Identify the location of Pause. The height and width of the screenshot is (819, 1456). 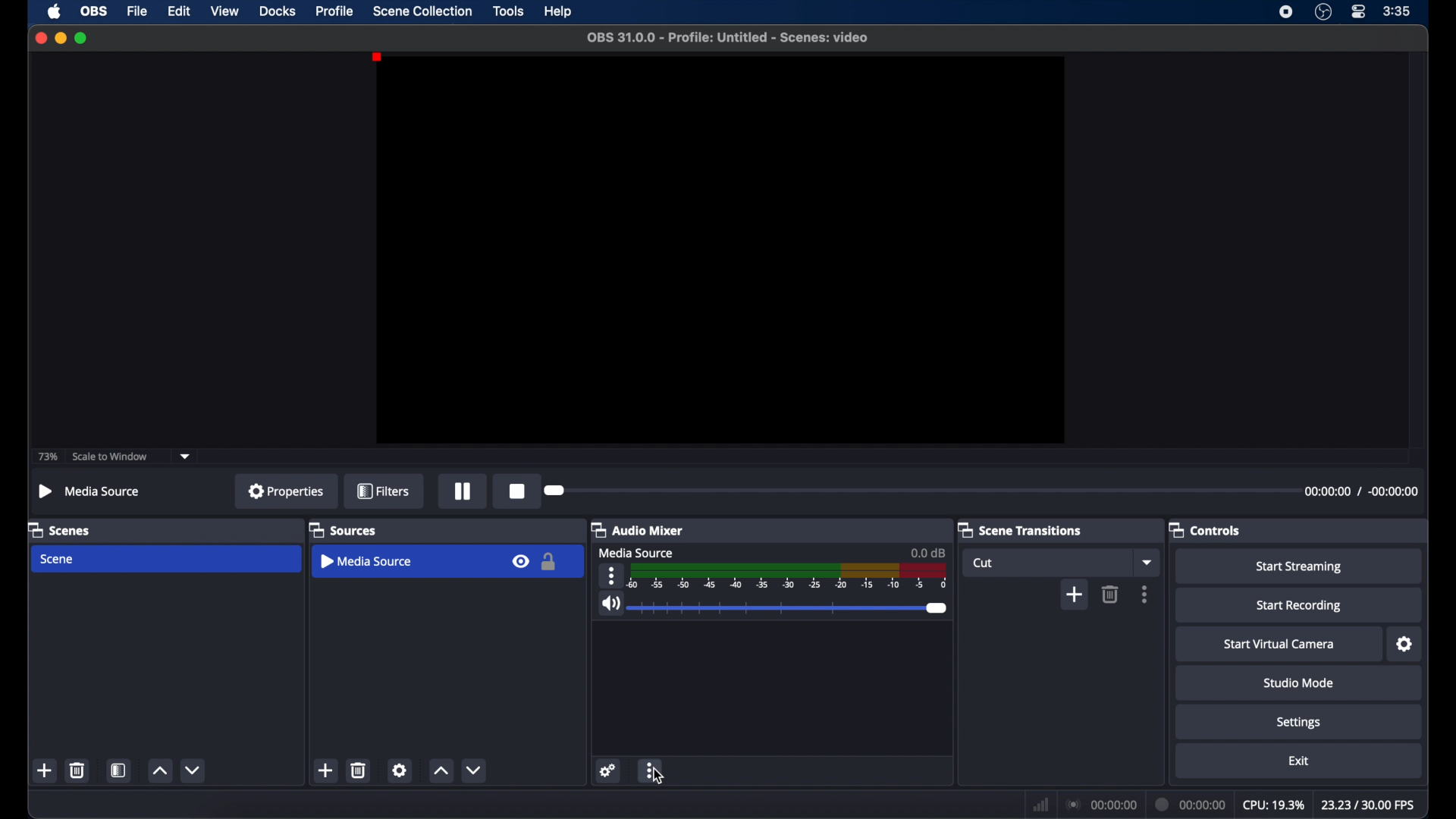
(460, 492).